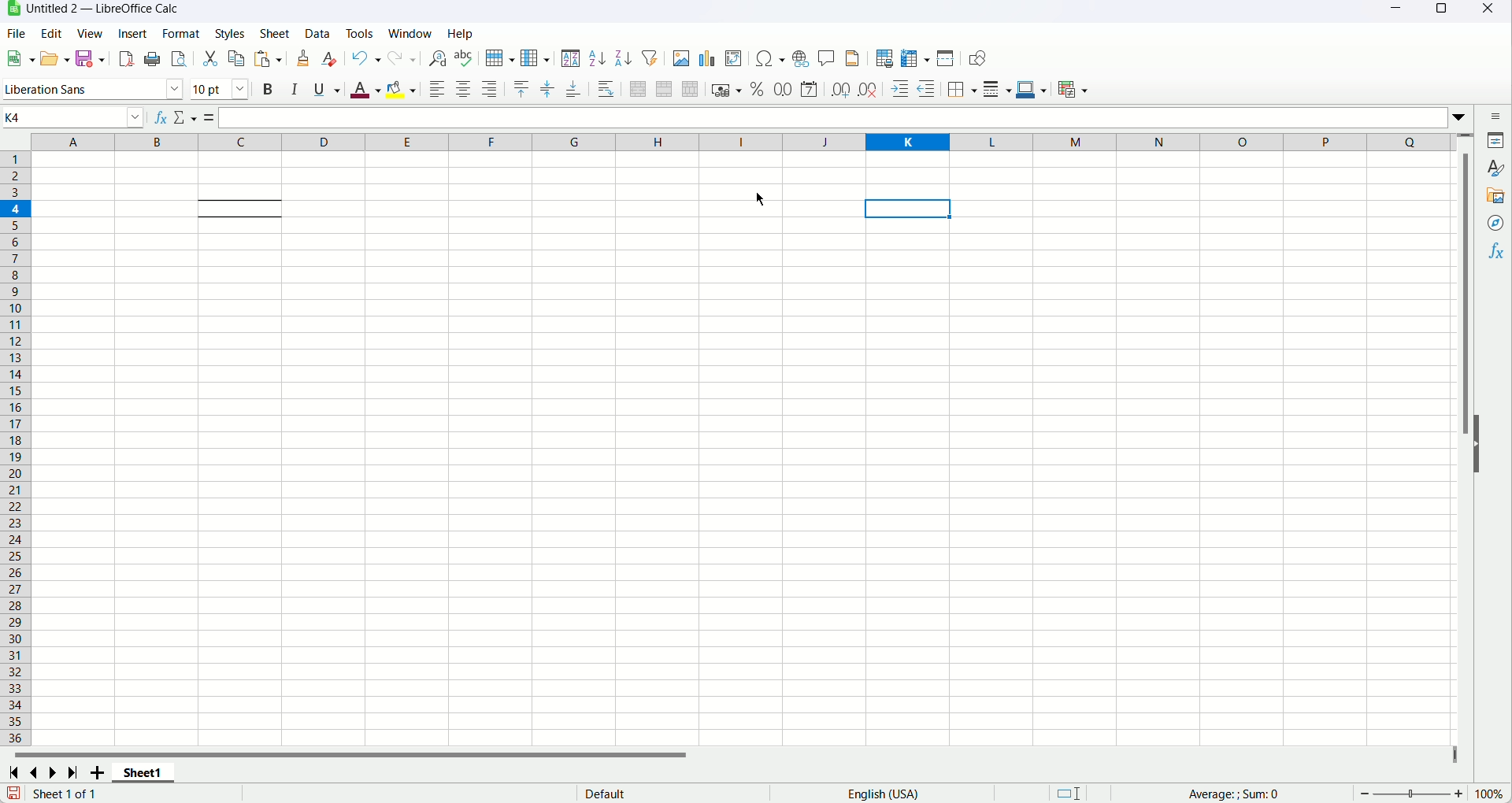 The width and height of the screenshot is (1512, 803). Describe the element at coordinates (868, 91) in the screenshot. I see `Delete decimal place` at that location.